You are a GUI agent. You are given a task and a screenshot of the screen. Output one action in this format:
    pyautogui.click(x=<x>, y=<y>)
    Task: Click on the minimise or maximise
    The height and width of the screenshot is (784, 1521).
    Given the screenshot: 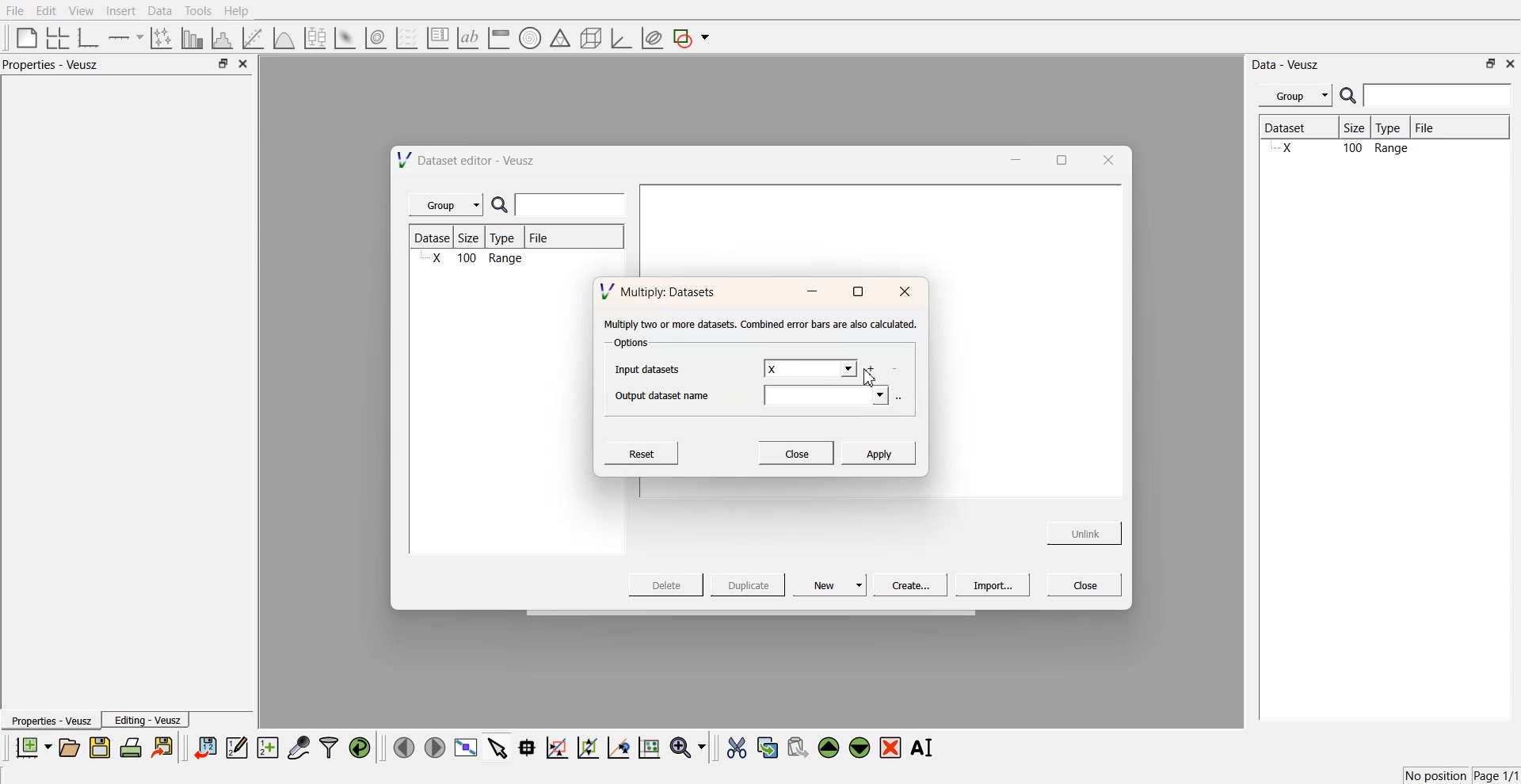 What is the action you would take?
    pyautogui.click(x=1491, y=63)
    